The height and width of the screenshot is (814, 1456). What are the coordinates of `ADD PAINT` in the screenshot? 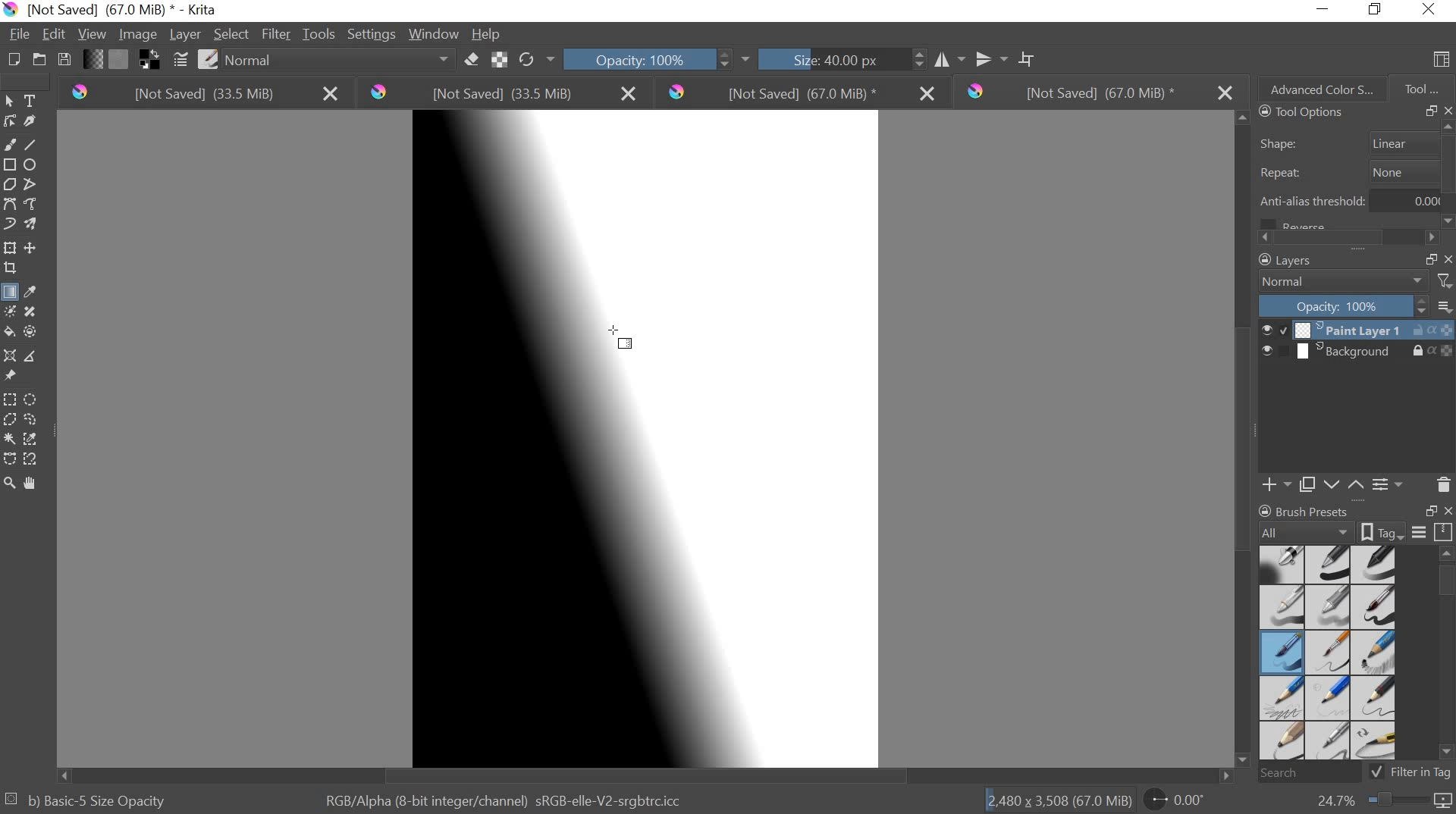 It's located at (1274, 484).